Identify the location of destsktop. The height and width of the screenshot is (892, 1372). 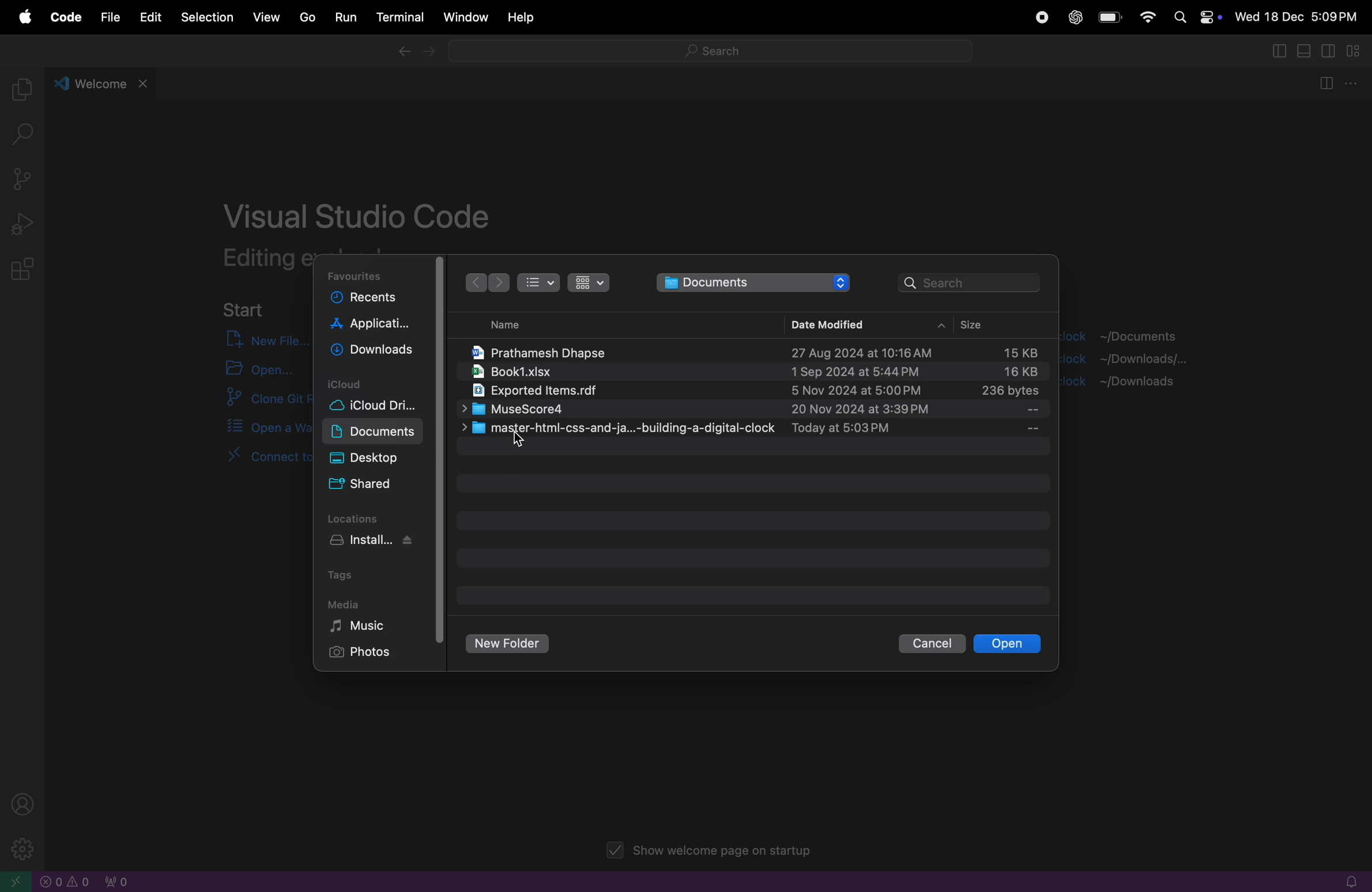
(378, 458).